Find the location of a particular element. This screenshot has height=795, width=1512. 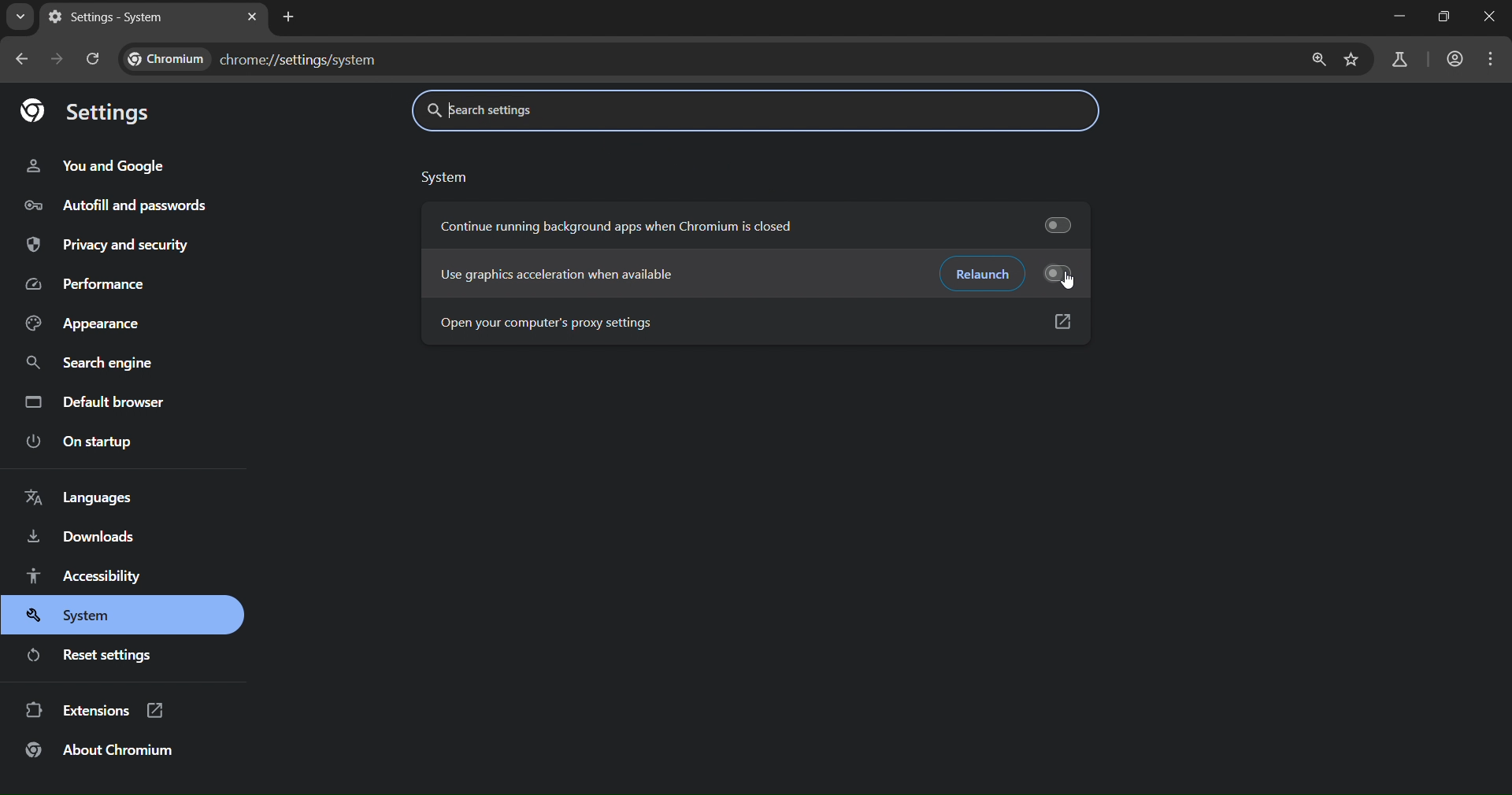

new tab is located at coordinates (254, 17).